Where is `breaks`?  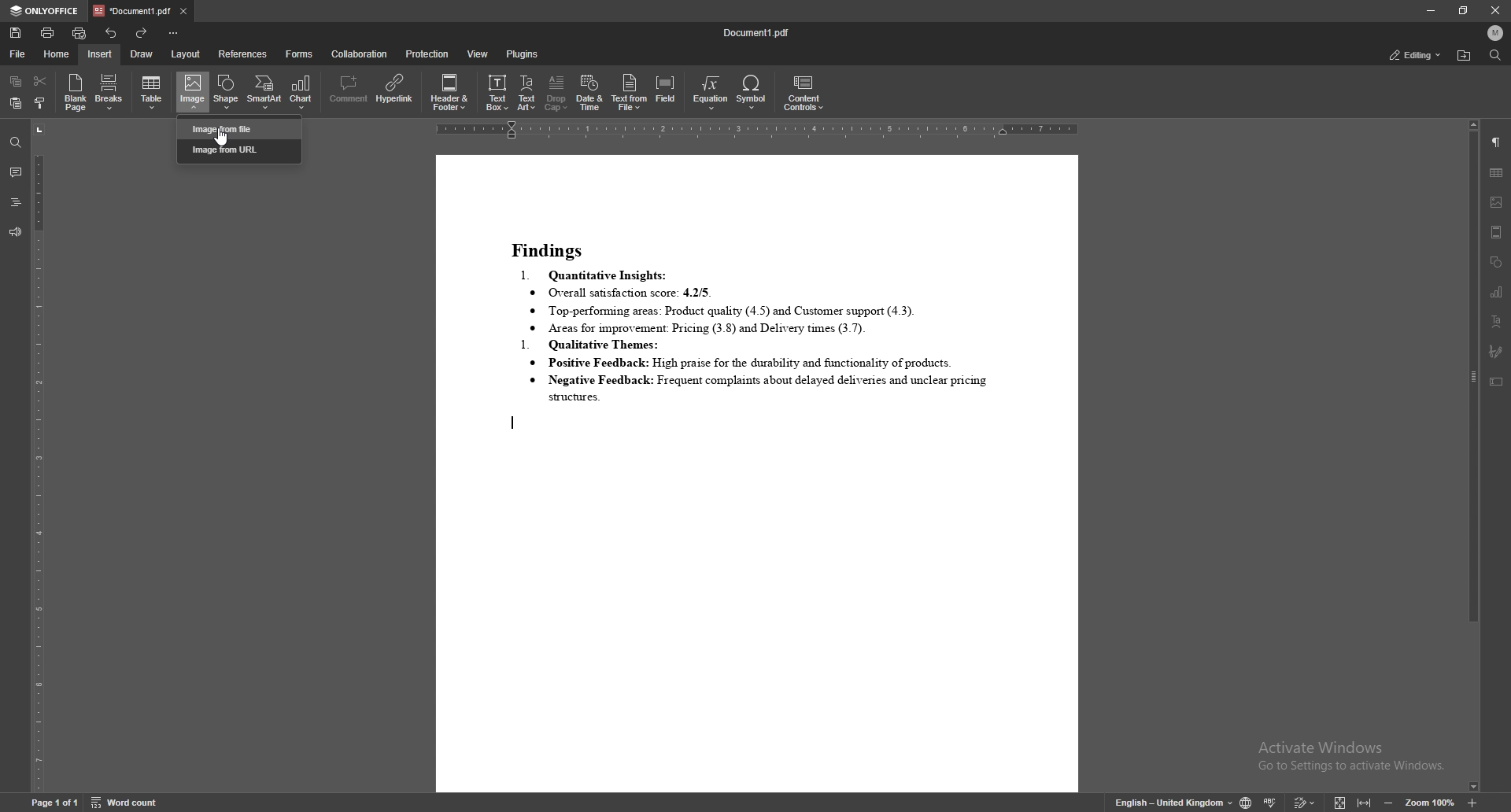
breaks is located at coordinates (110, 91).